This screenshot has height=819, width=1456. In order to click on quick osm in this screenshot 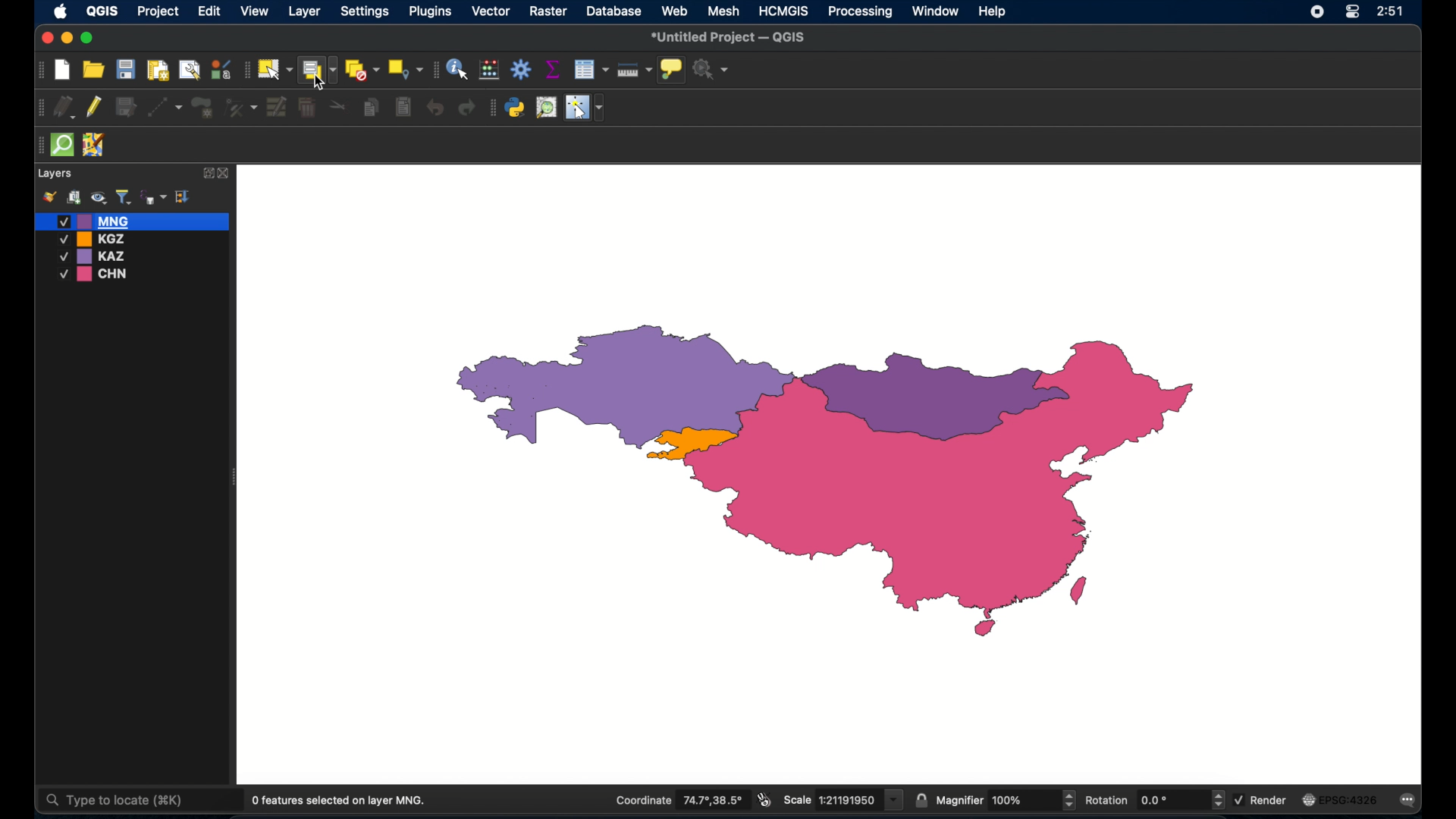, I will do `click(63, 146)`.